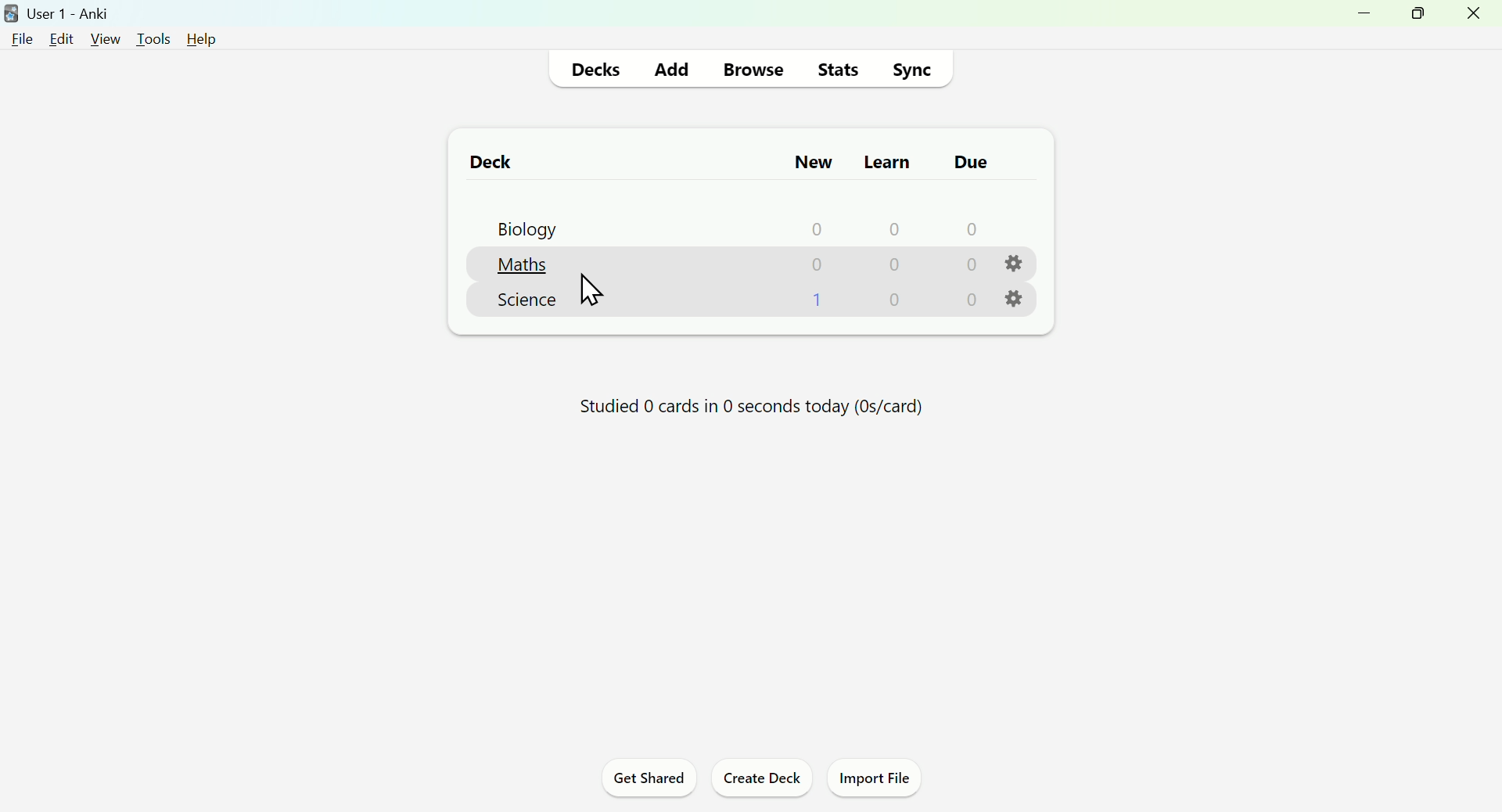  Describe the element at coordinates (972, 300) in the screenshot. I see `0` at that location.